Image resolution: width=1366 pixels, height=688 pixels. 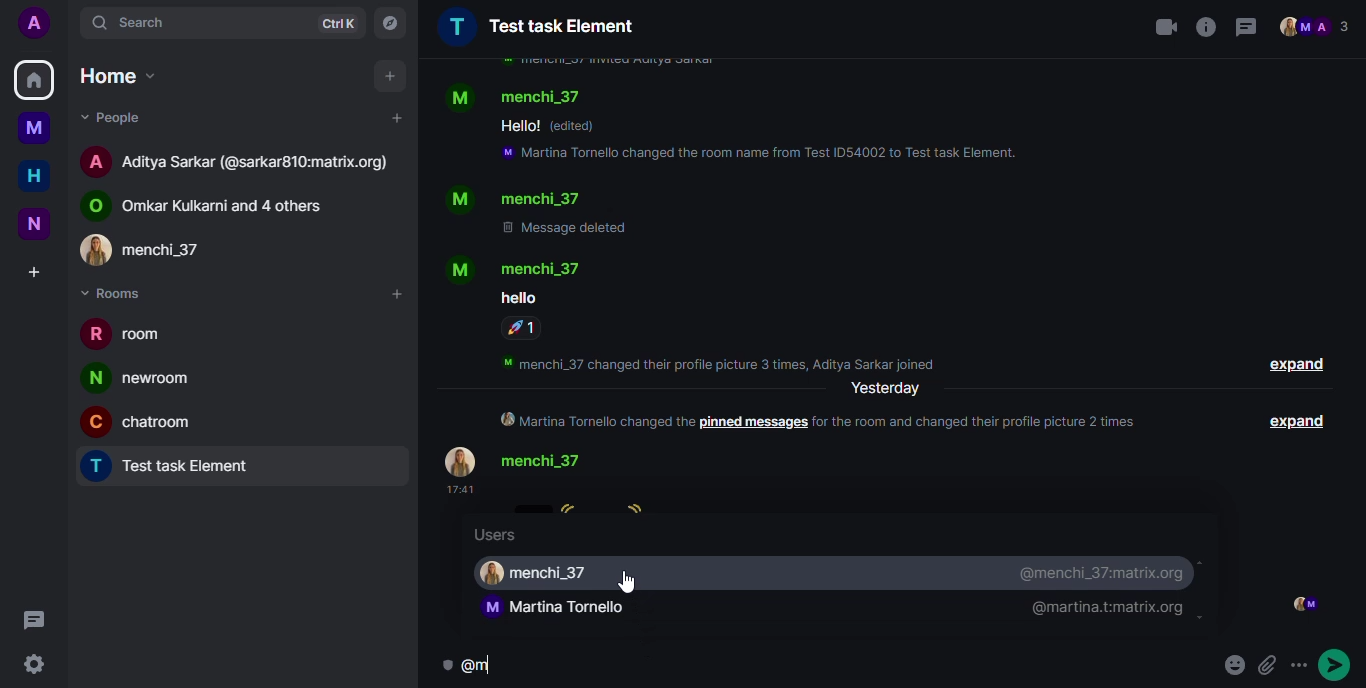 I want to click on add, so click(x=395, y=295).